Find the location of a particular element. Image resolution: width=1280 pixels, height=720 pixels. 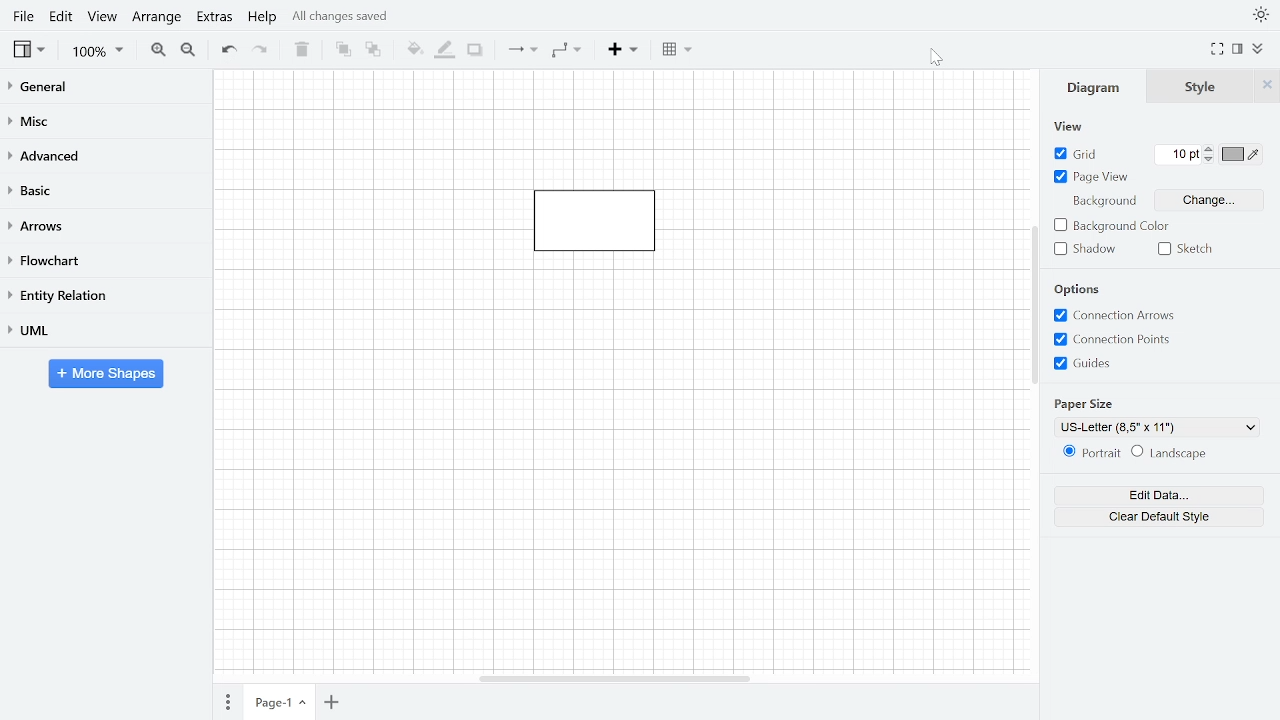

Pages is located at coordinates (229, 701).